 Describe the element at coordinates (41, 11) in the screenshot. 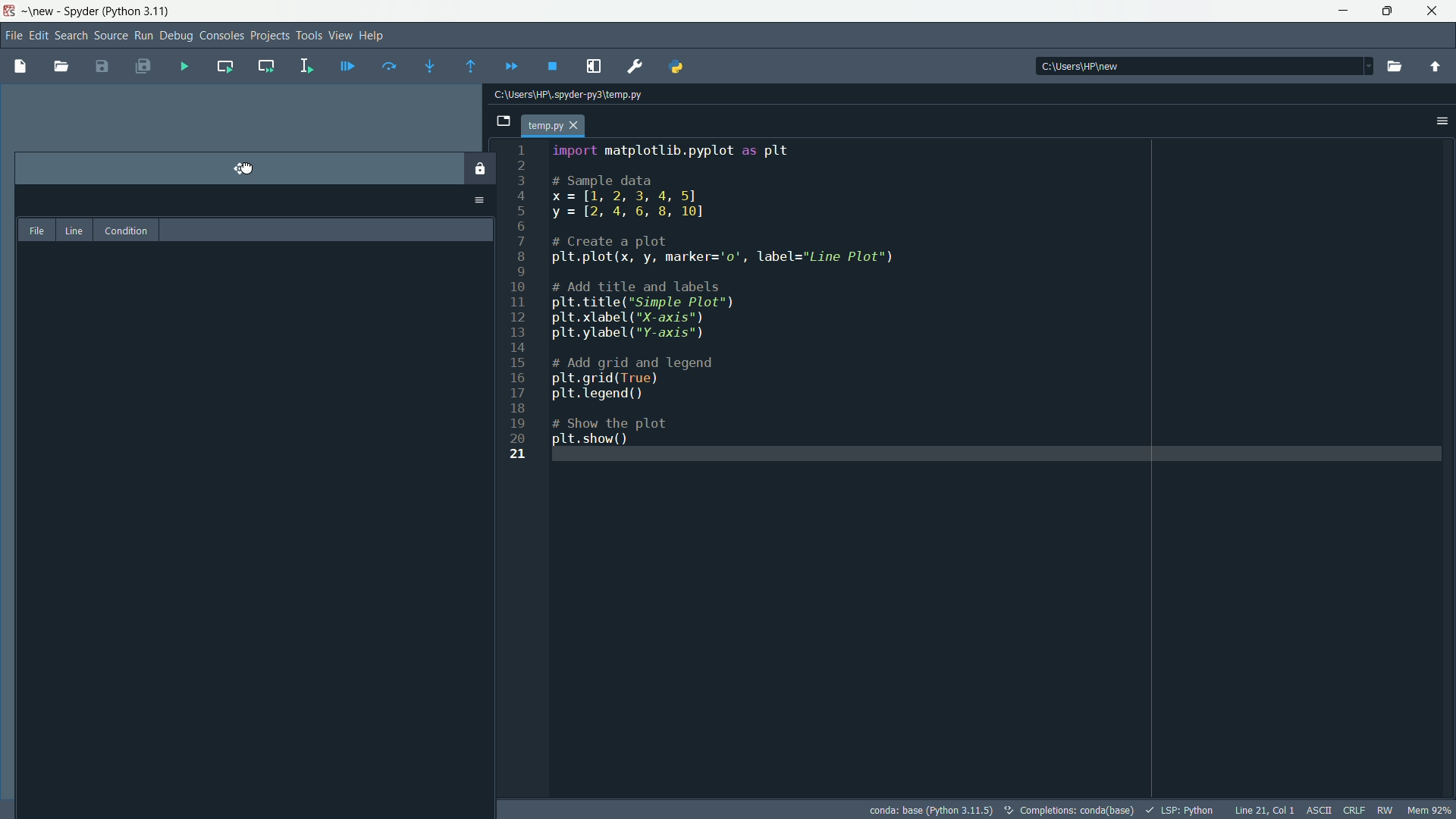

I see `new` at that location.